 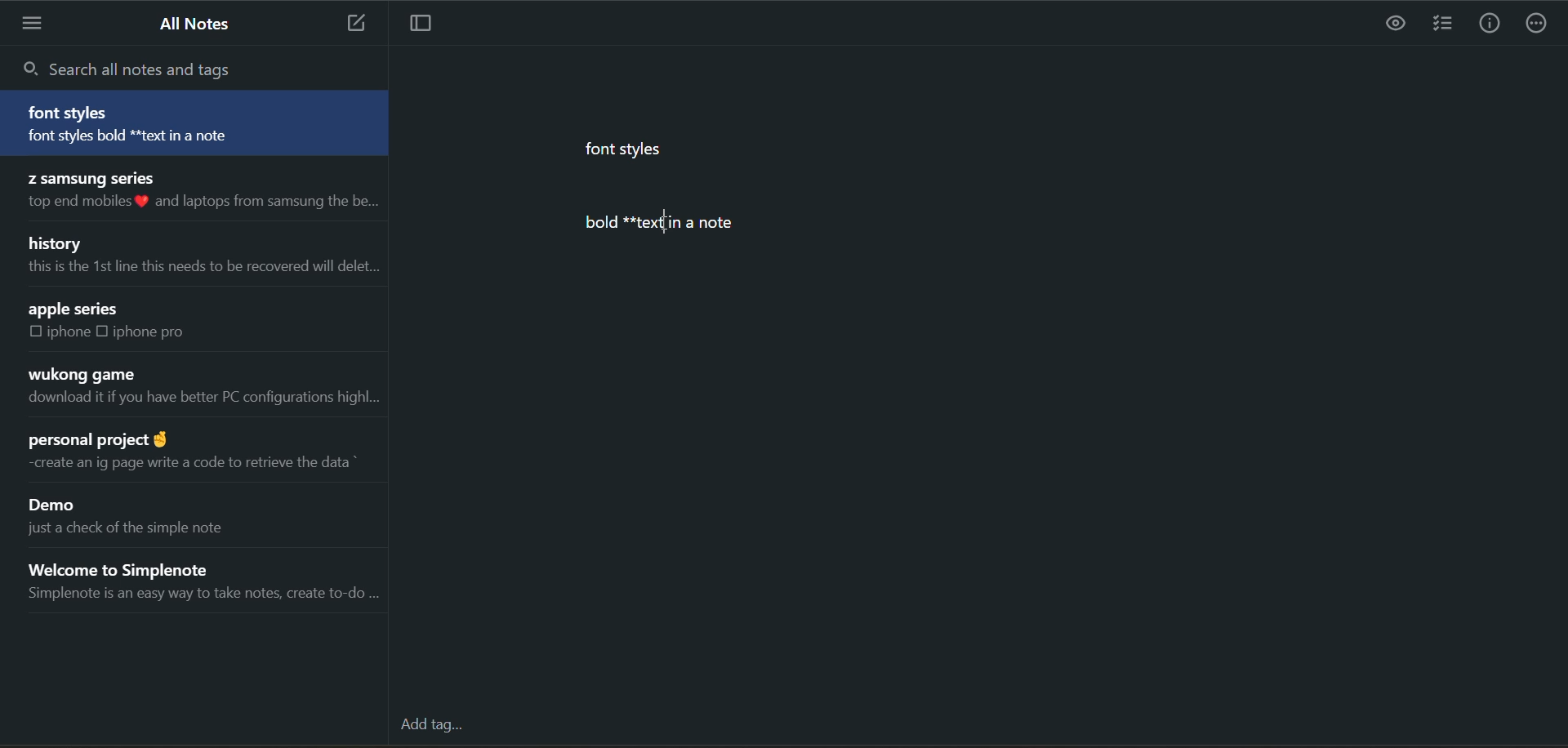 I want to click on font styles, so click(x=72, y=113).